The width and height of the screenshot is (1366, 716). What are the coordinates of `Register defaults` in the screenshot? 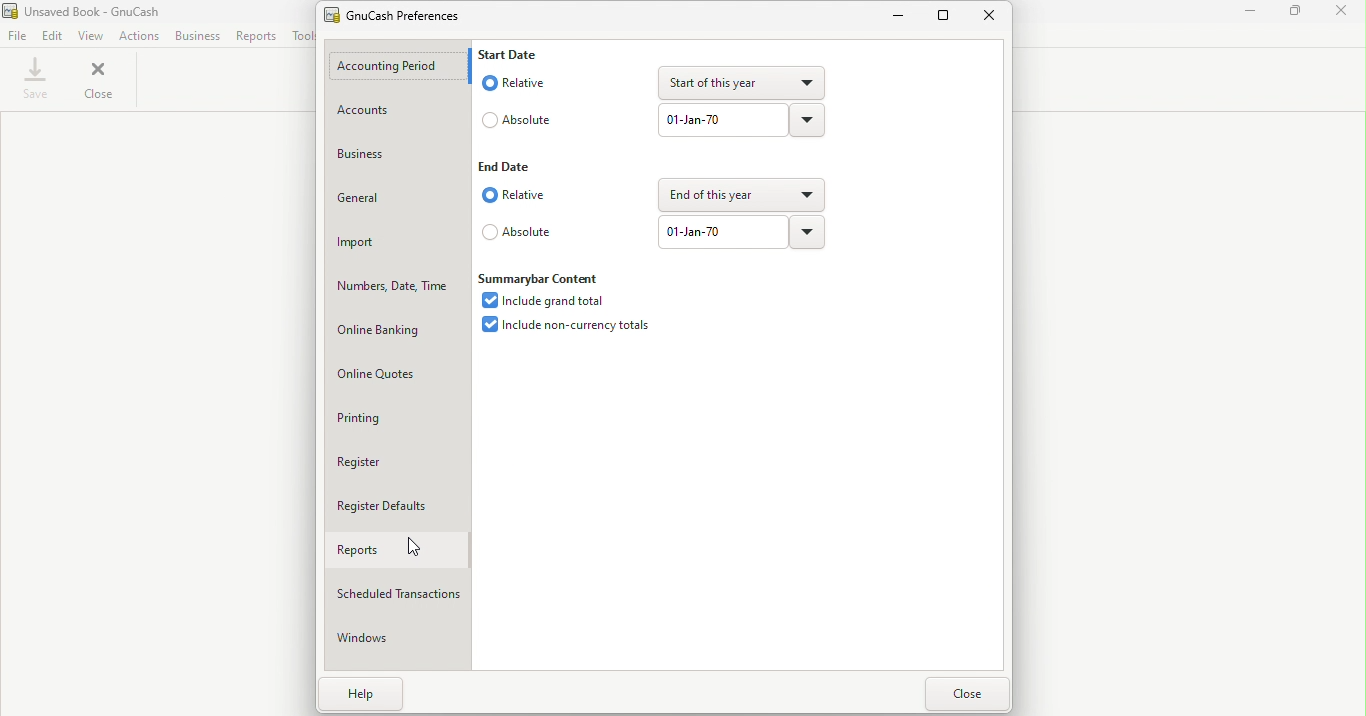 It's located at (395, 503).